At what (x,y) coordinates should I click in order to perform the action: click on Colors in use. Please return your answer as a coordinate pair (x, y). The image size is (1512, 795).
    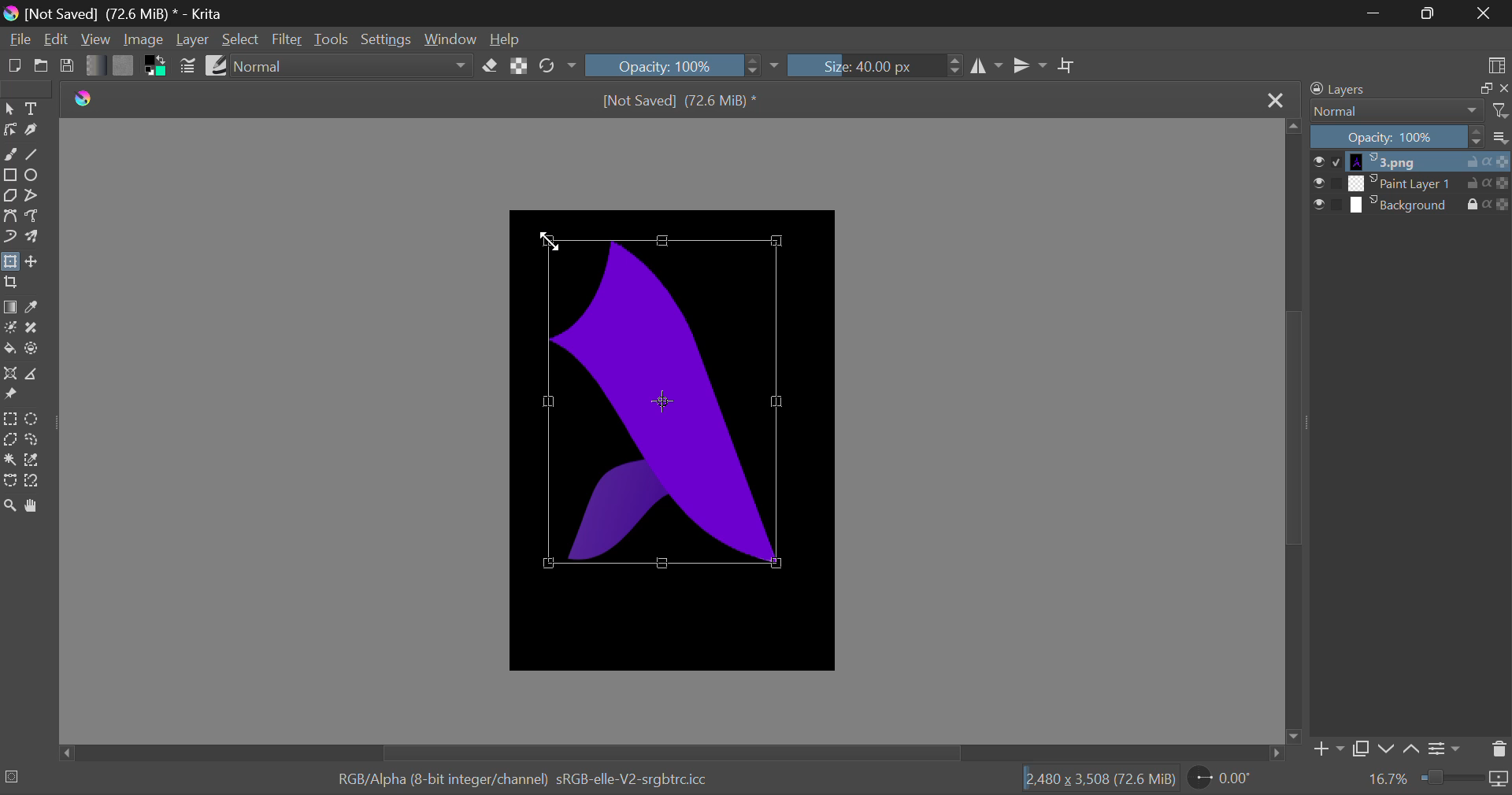
    Looking at the image, I should click on (157, 66).